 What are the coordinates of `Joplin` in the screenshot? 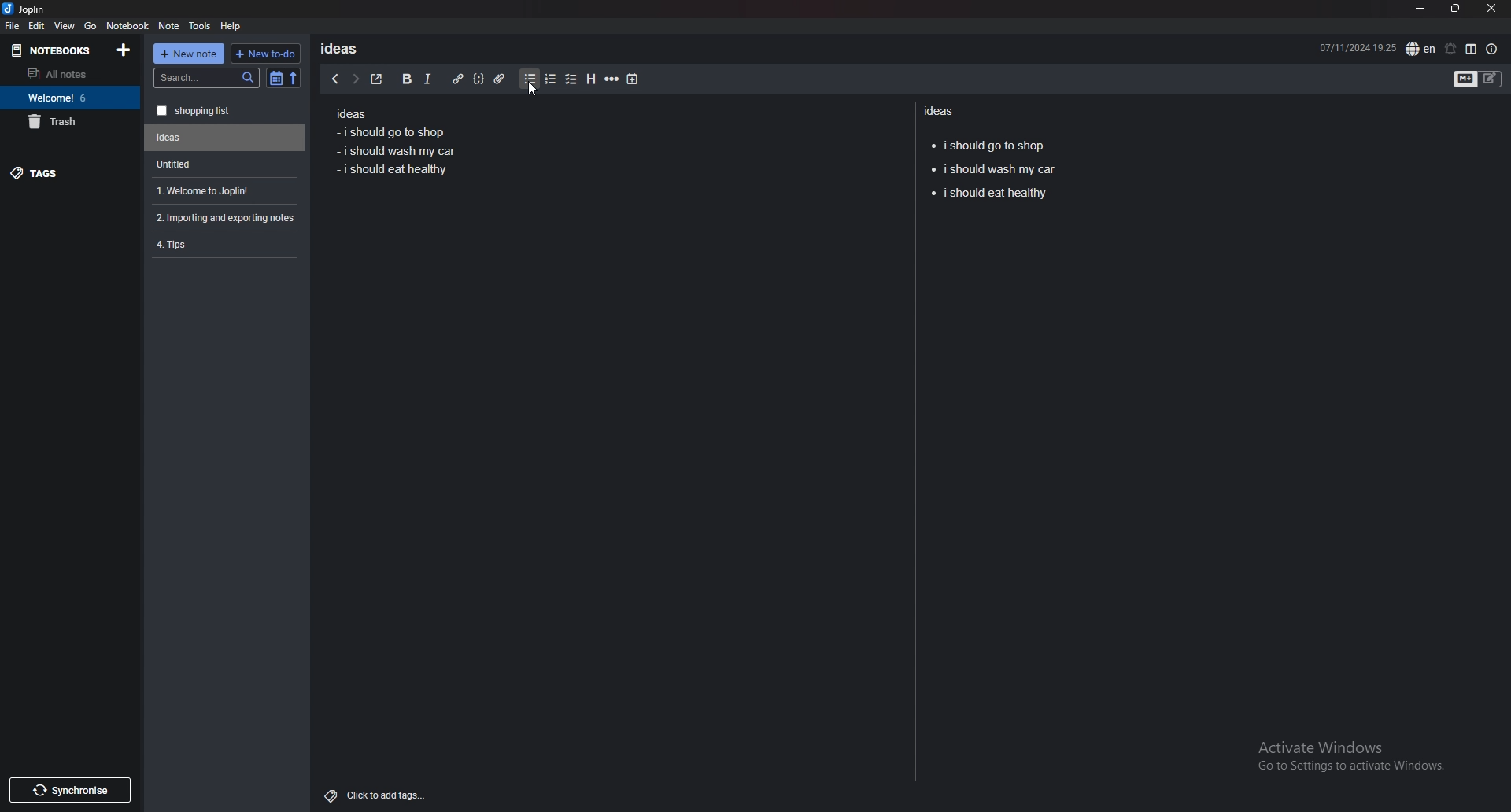 It's located at (36, 9).